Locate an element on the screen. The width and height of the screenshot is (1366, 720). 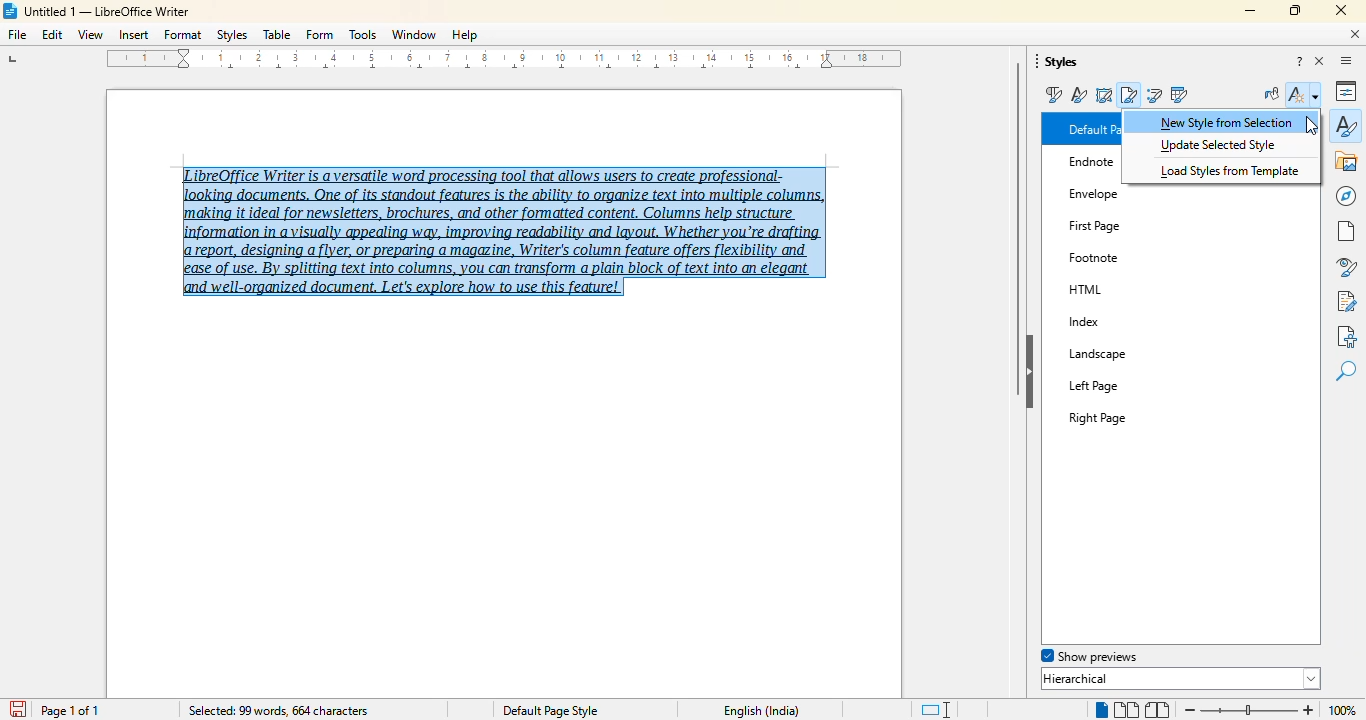
 is located at coordinates (1092, 256).